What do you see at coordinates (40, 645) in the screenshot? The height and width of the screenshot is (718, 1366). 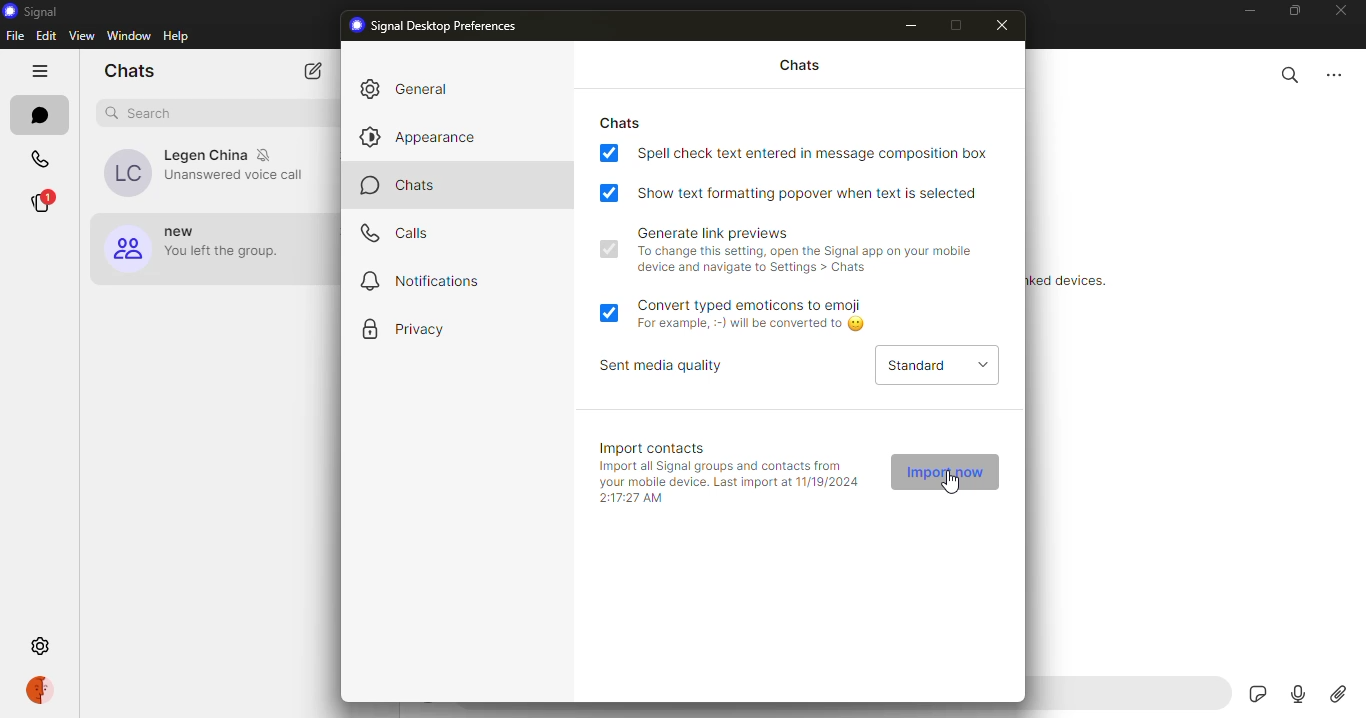 I see `settings` at bounding box center [40, 645].